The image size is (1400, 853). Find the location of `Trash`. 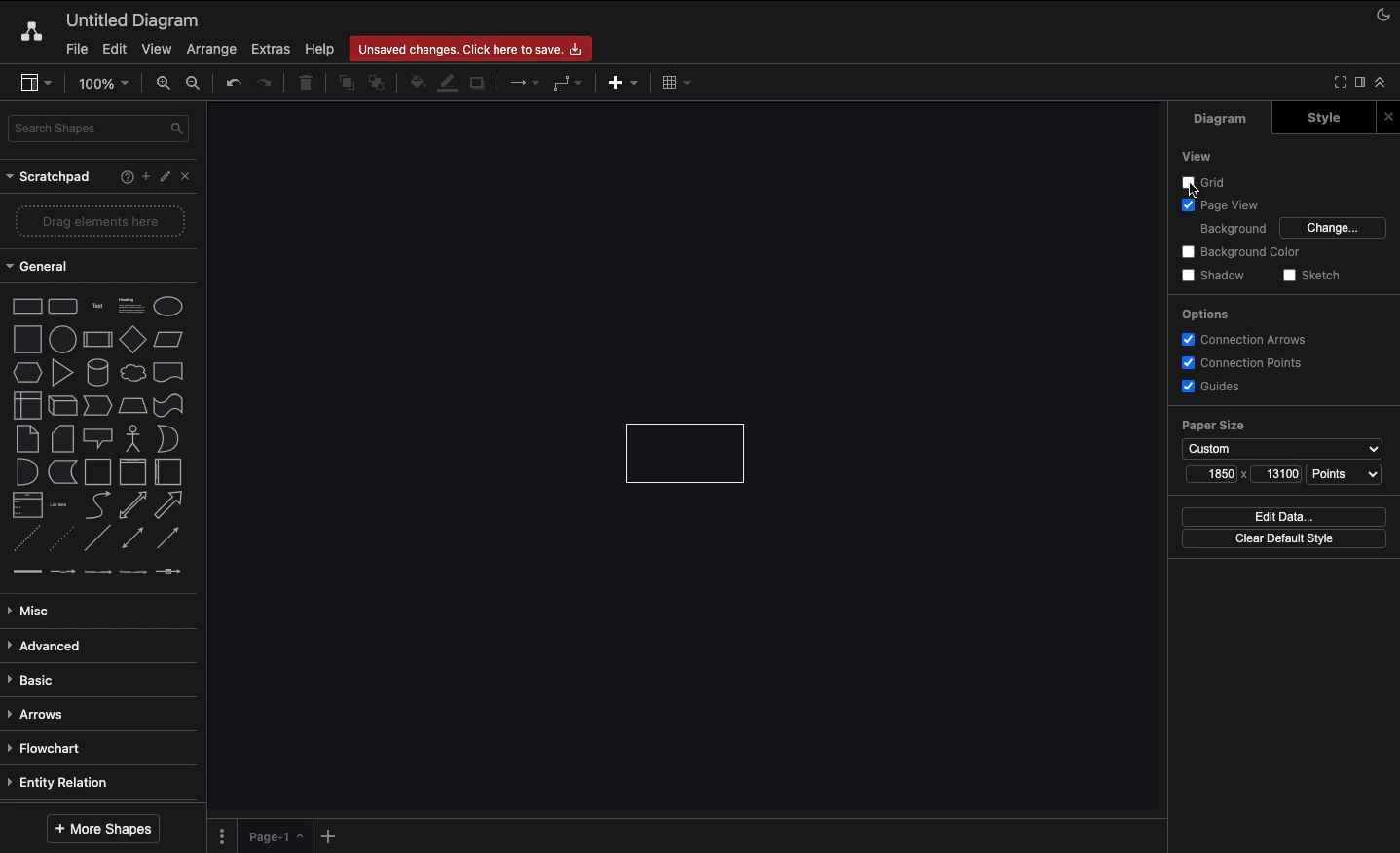

Trash is located at coordinates (307, 83).